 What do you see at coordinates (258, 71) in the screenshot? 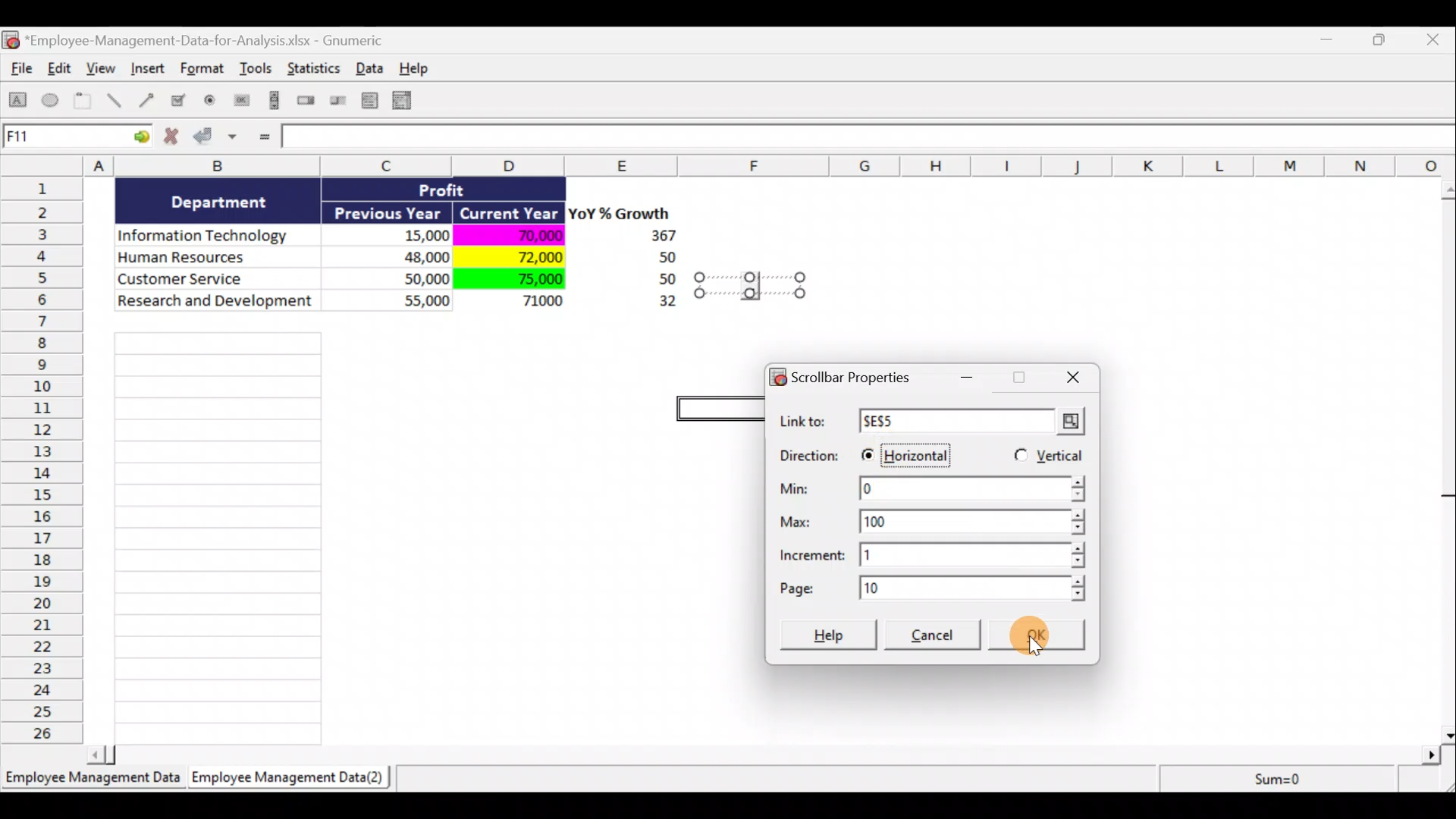
I see `Tools` at bounding box center [258, 71].